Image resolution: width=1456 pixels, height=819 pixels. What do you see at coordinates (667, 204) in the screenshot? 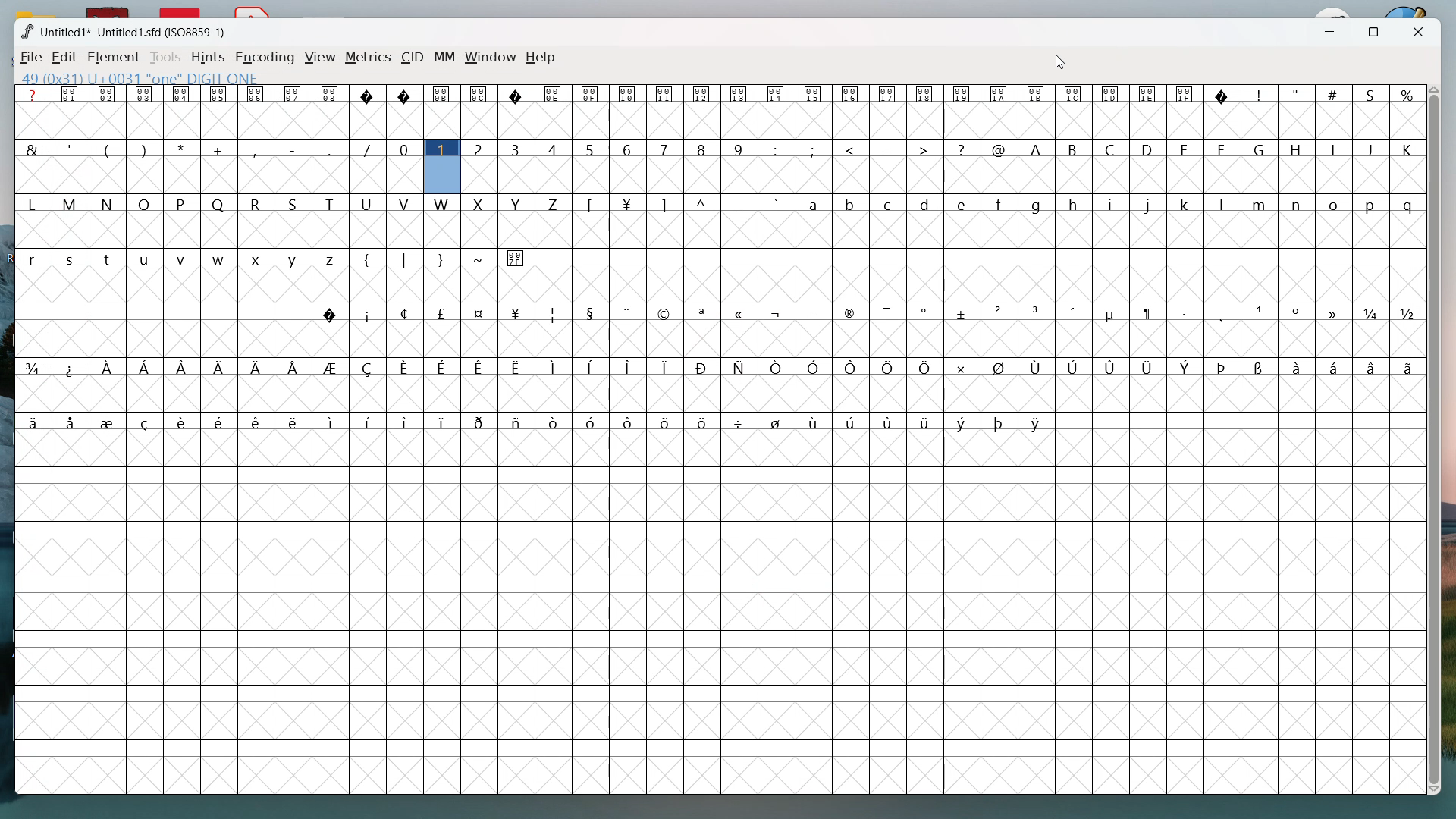
I see `]` at bounding box center [667, 204].